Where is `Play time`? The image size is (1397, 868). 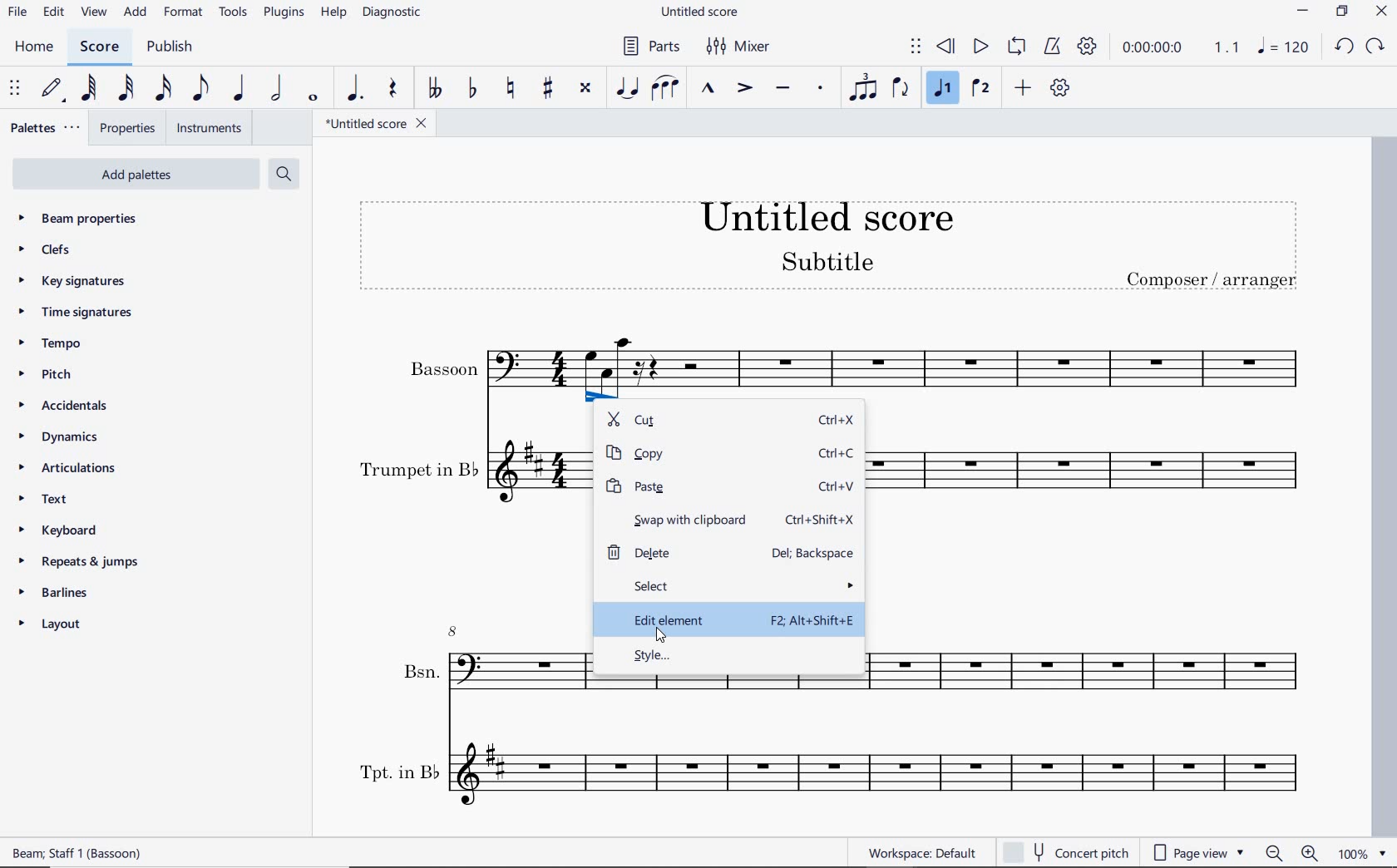
Play time is located at coordinates (1180, 46).